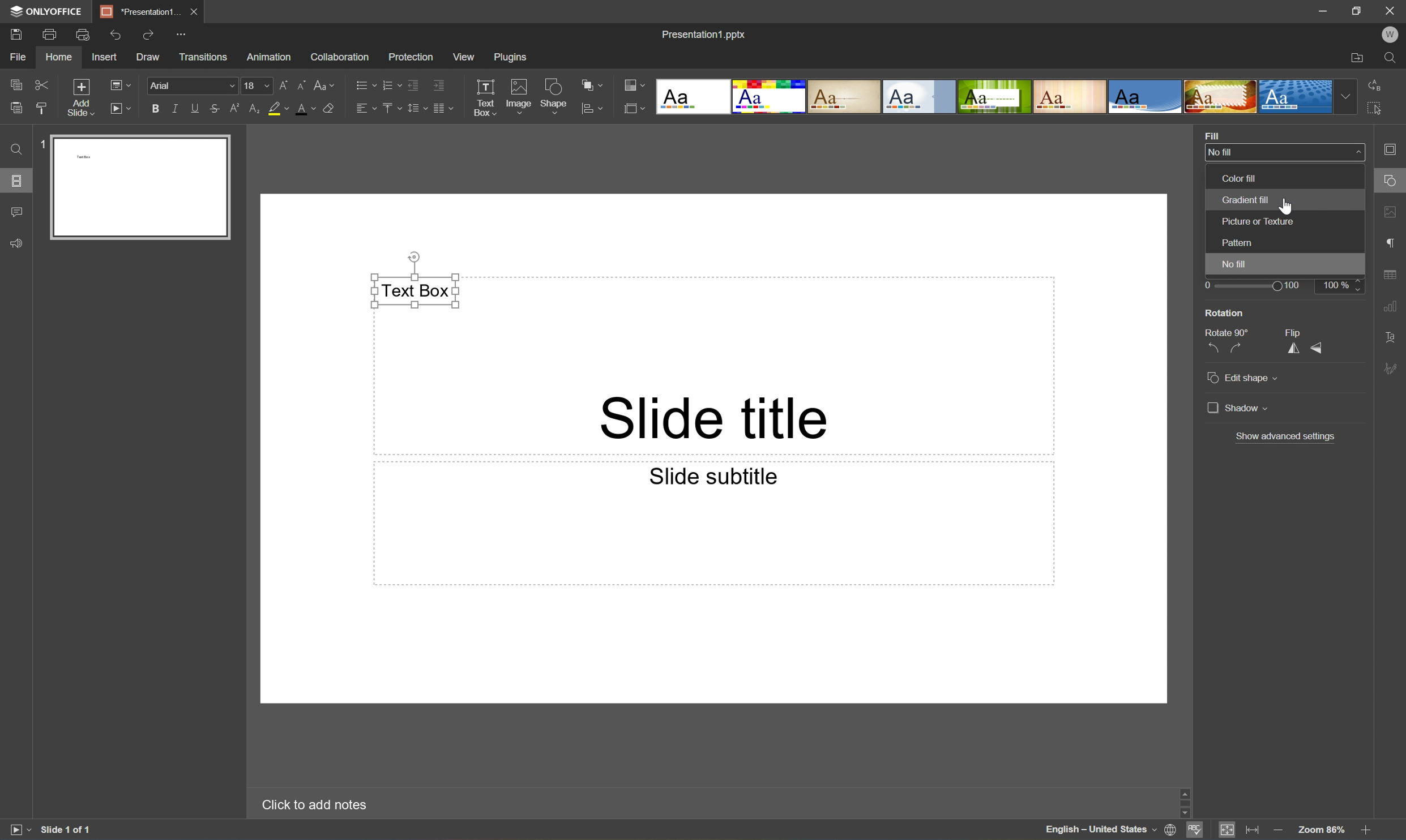 The width and height of the screenshot is (1406, 840). I want to click on Type of slides, so click(993, 97).